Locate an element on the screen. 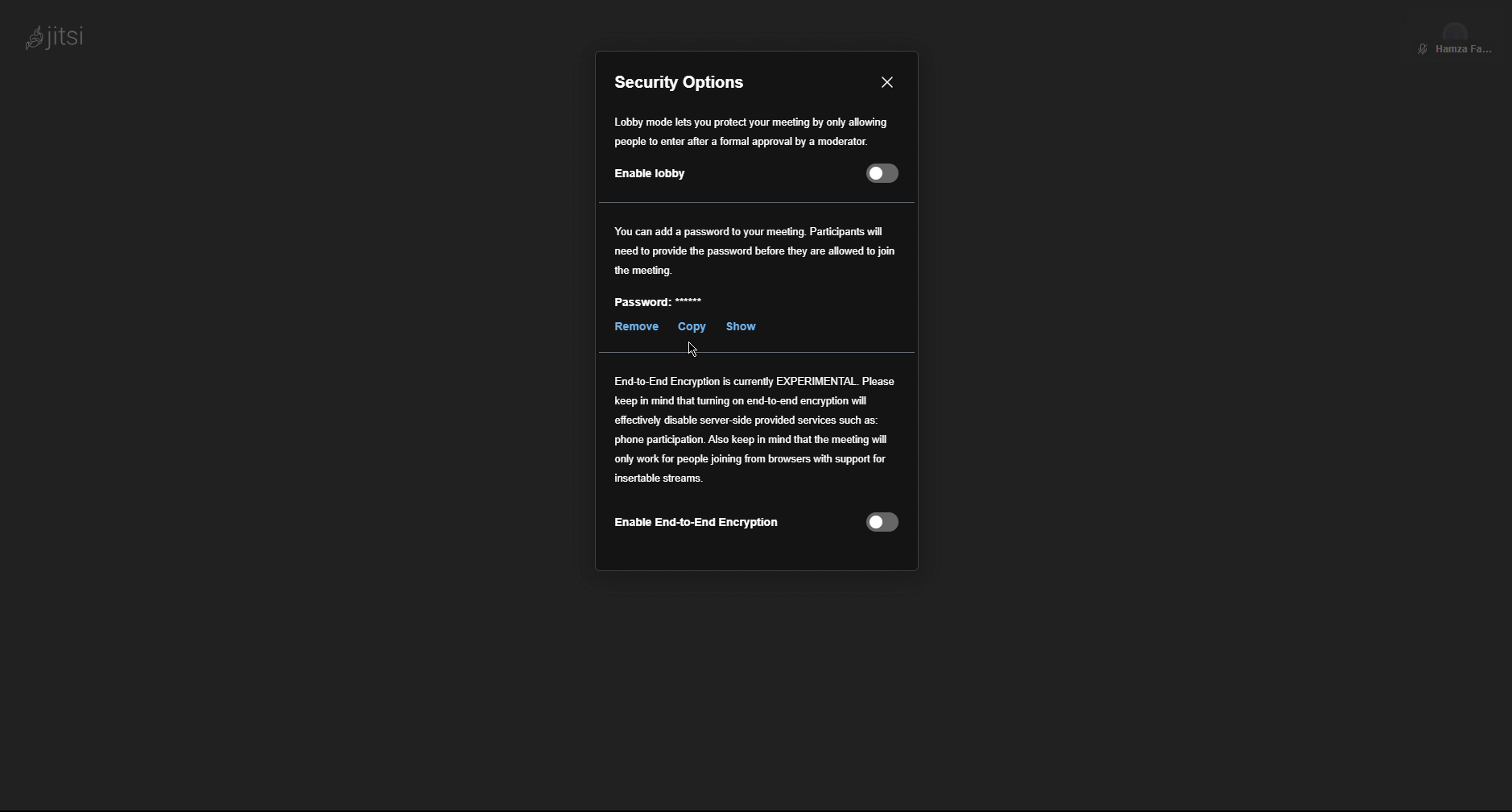 This screenshot has height=812, width=1512. Cursor is located at coordinates (691, 349).